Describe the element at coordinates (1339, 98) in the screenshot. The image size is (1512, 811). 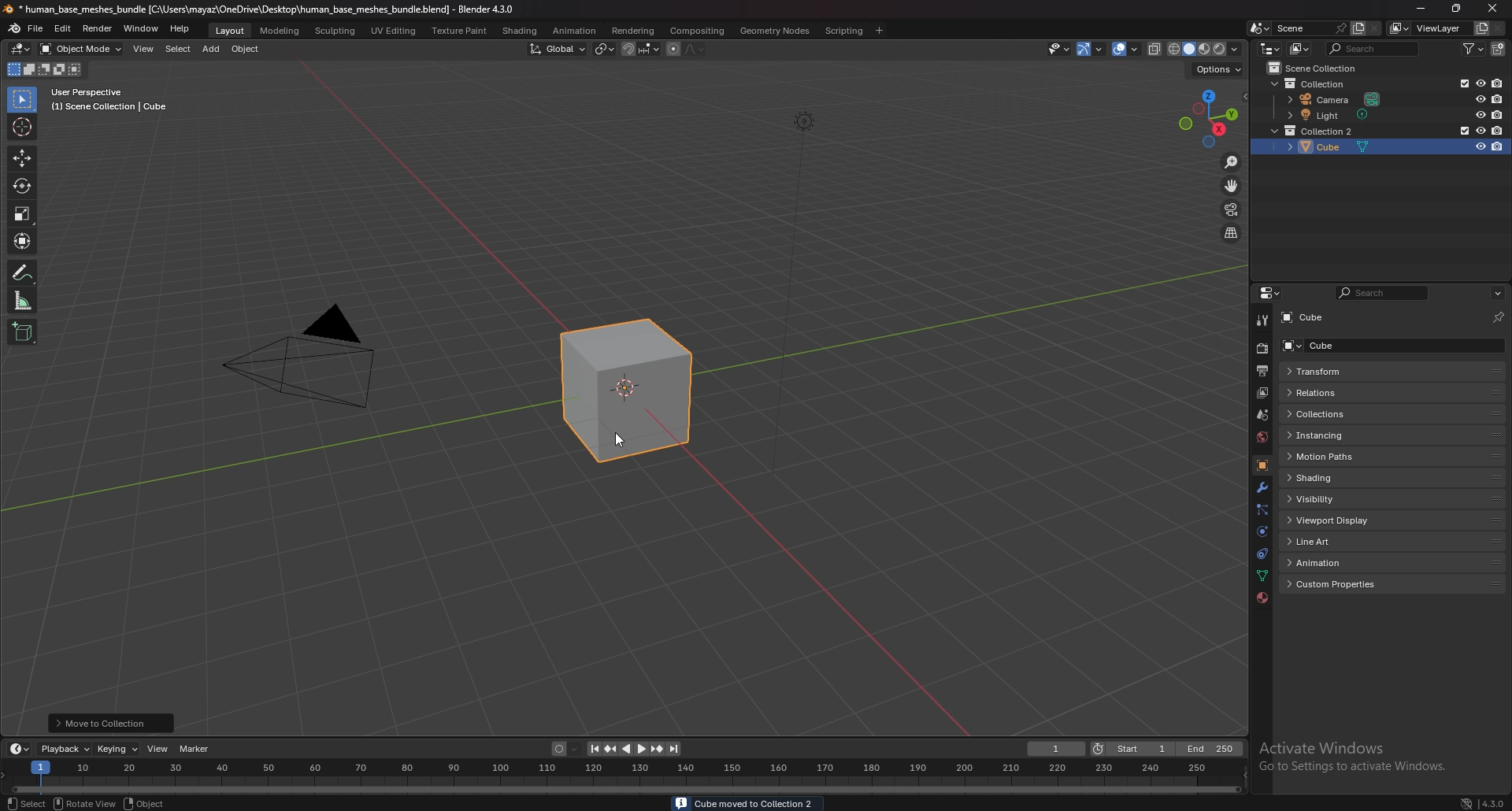
I see `camera` at that location.